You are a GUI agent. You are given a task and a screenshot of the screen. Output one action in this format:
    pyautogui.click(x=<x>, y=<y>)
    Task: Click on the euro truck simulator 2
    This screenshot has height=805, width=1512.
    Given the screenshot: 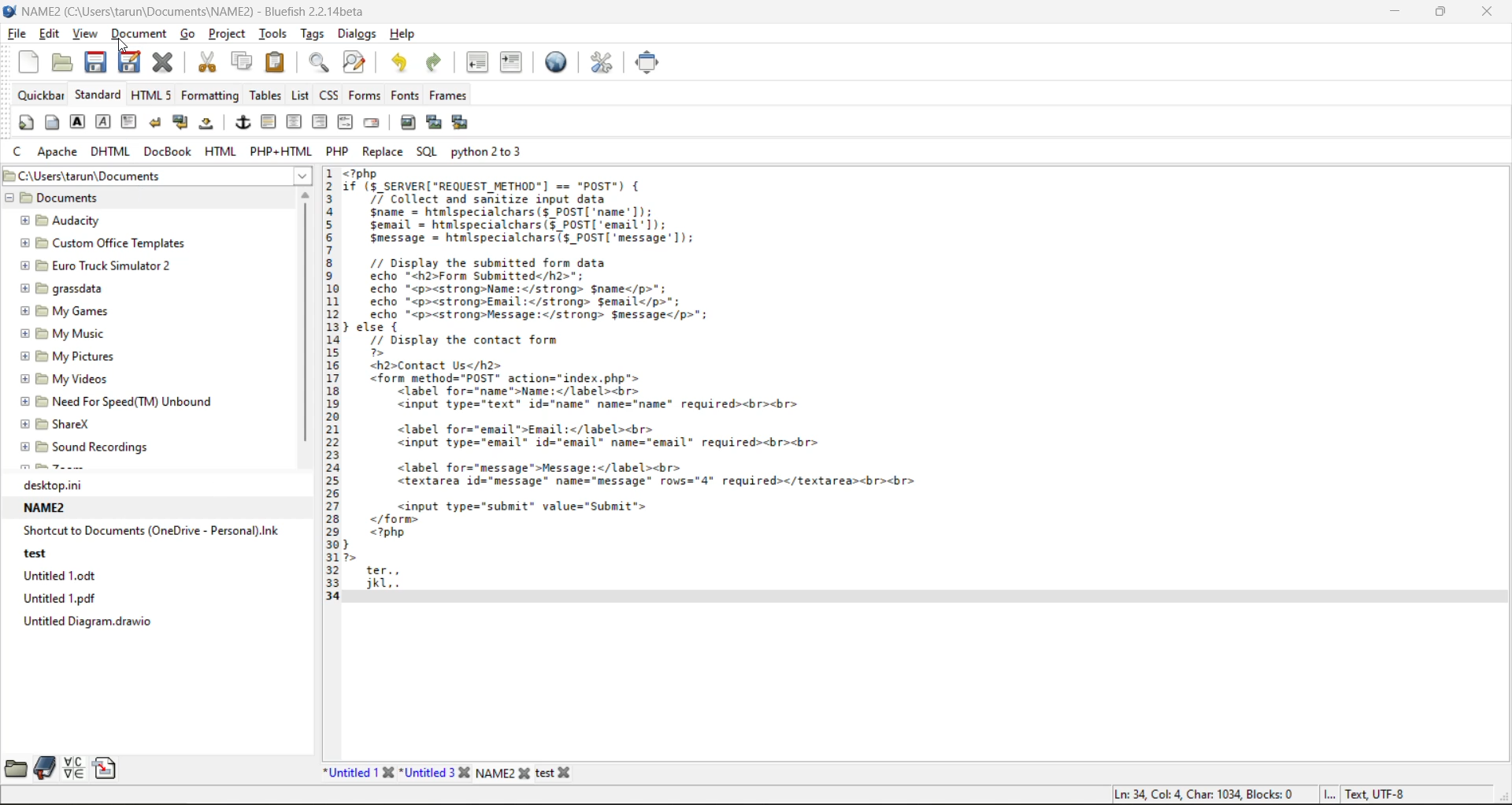 What is the action you would take?
    pyautogui.click(x=104, y=267)
    